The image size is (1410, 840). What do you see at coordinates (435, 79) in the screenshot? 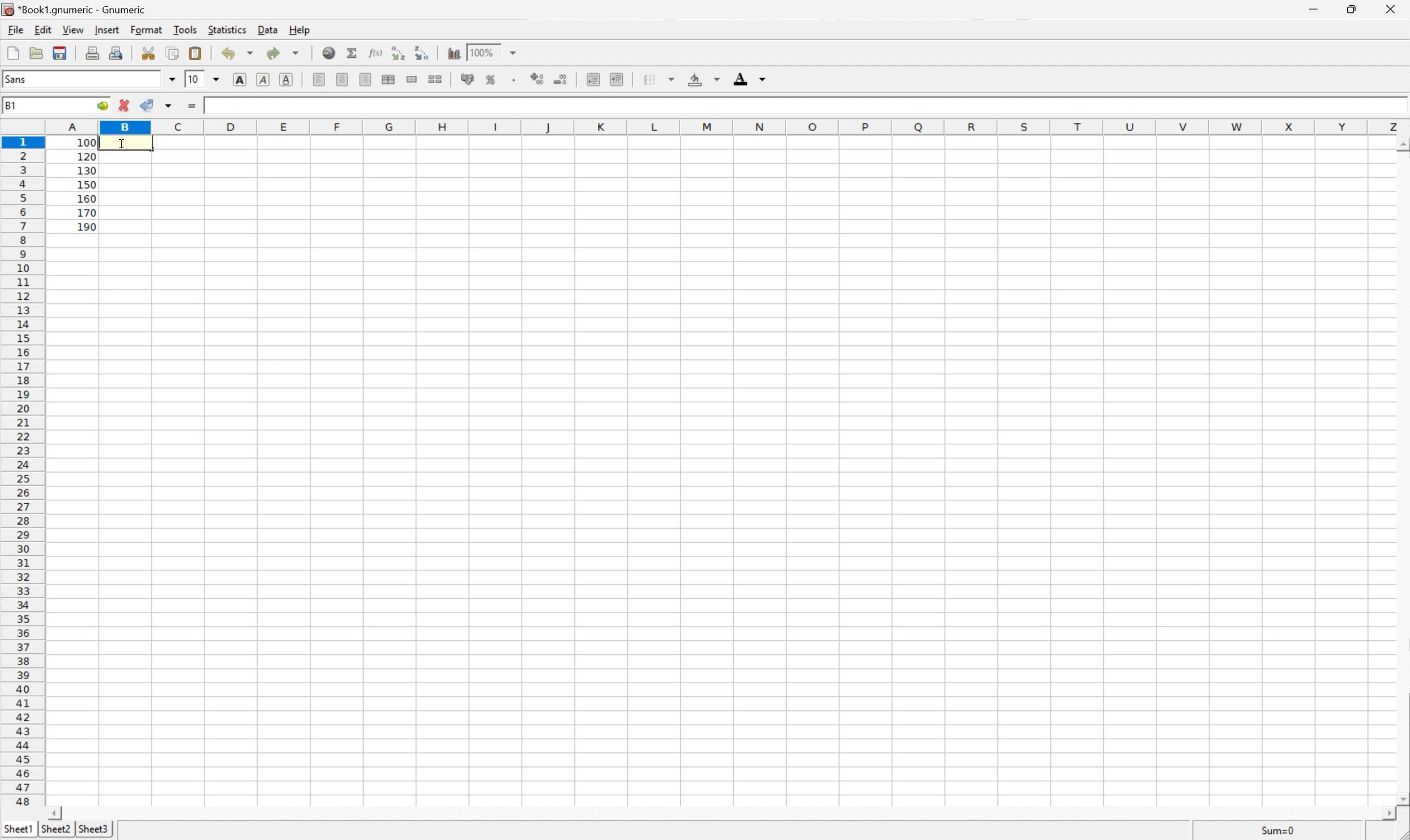
I see `Split the ranges of merged cells` at bounding box center [435, 79].